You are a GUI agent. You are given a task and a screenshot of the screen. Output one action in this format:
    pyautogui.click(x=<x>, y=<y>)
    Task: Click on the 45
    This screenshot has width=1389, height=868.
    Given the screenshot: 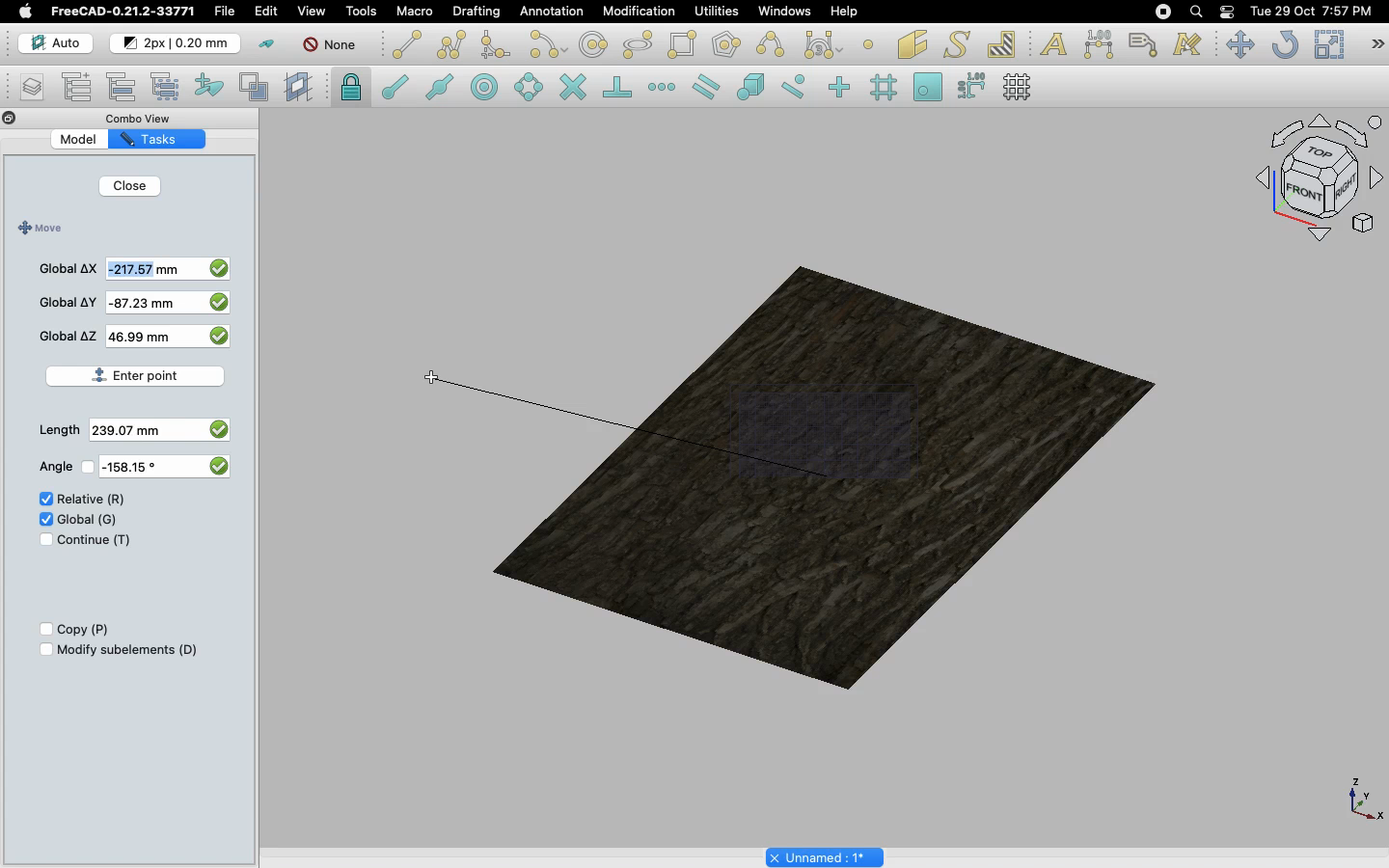 What is the action you would take?
    pyautogui.click(x=128, y=468)
    